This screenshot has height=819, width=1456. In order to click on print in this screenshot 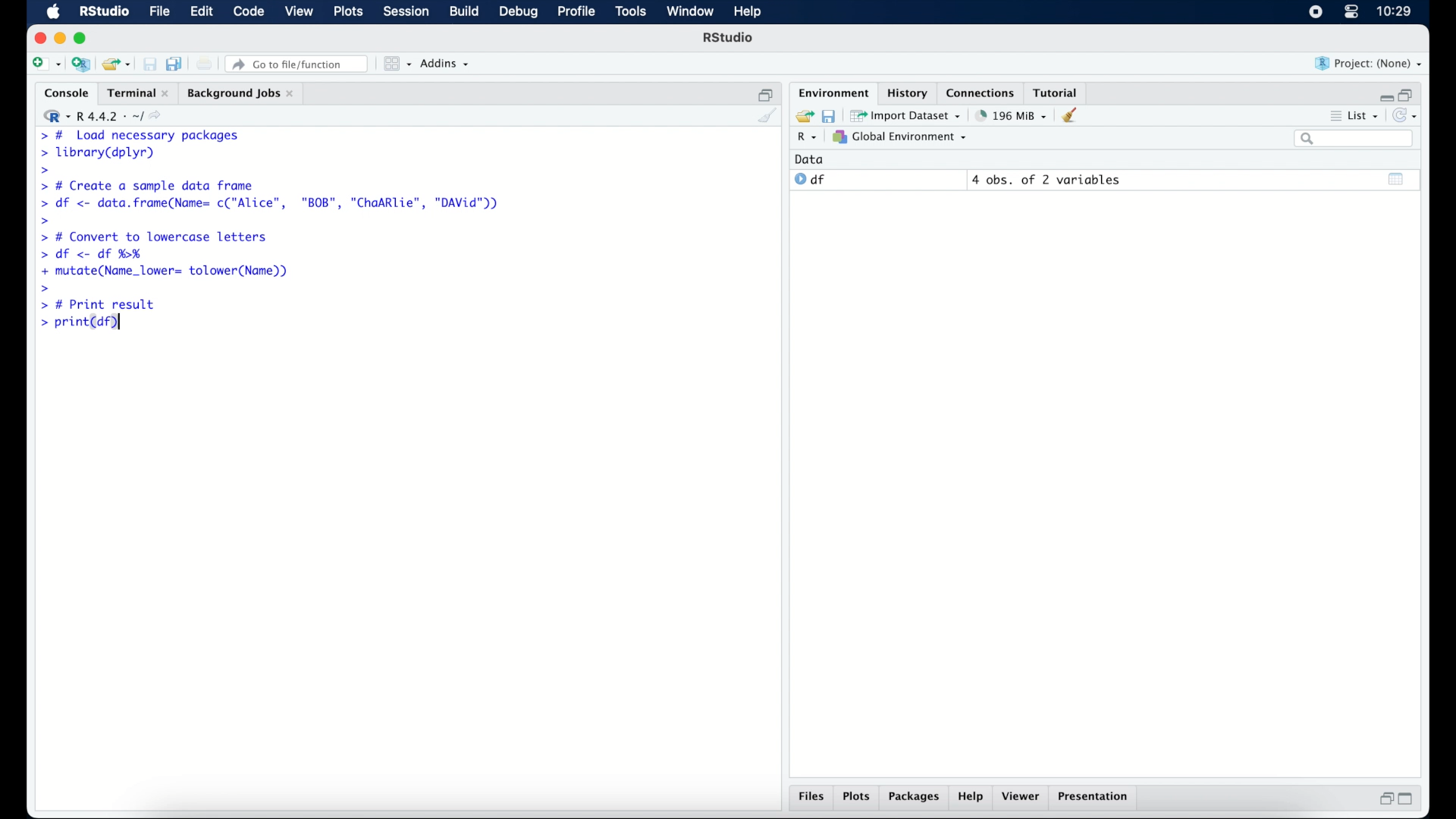, I will do `click(205, 64)`.